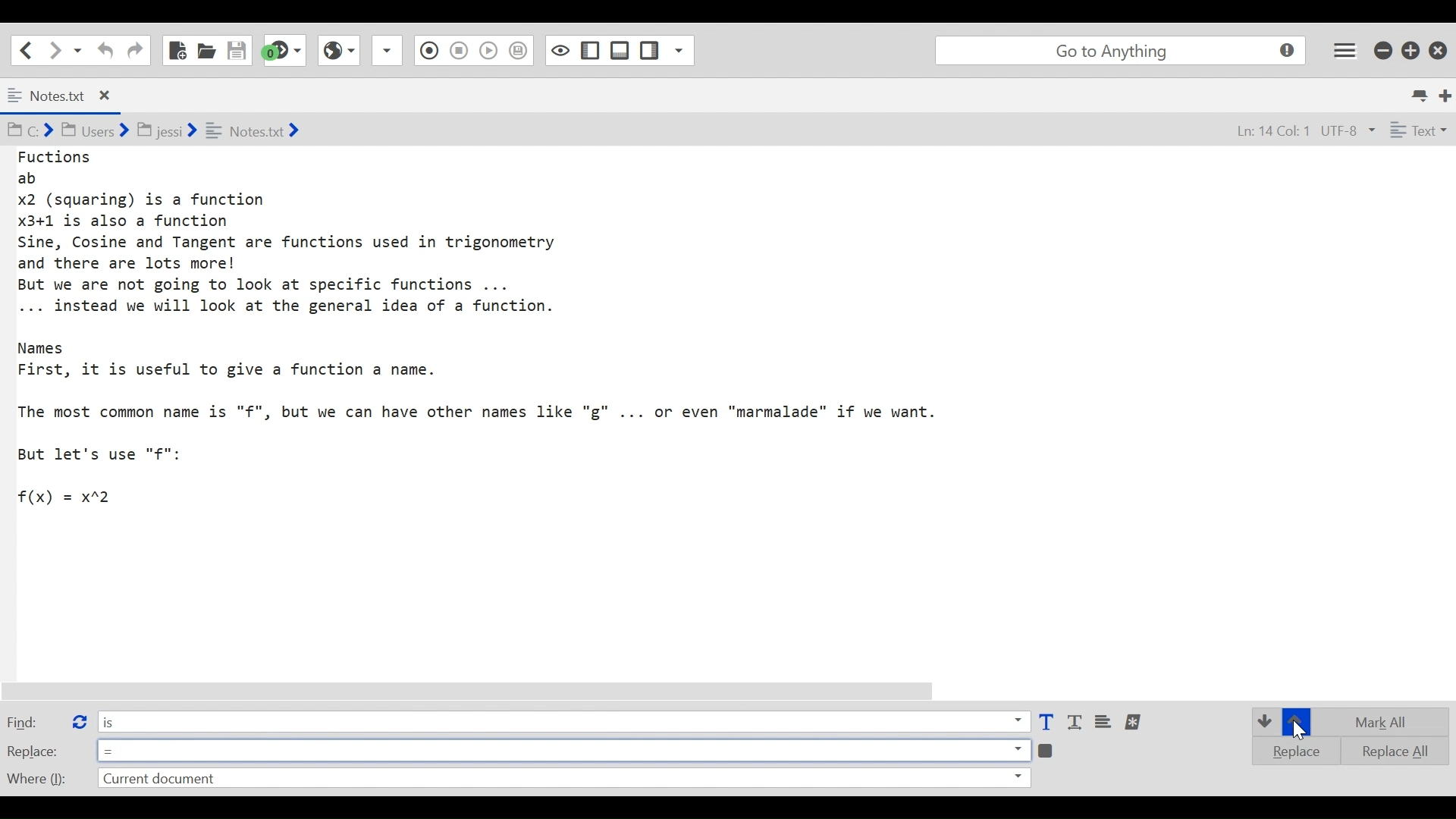 The width and height of the screenshot is (1456, 819). What do you see at coordinates (206, 50) in the screenshot?
I see `Open File` at bounding box center [206, 50].